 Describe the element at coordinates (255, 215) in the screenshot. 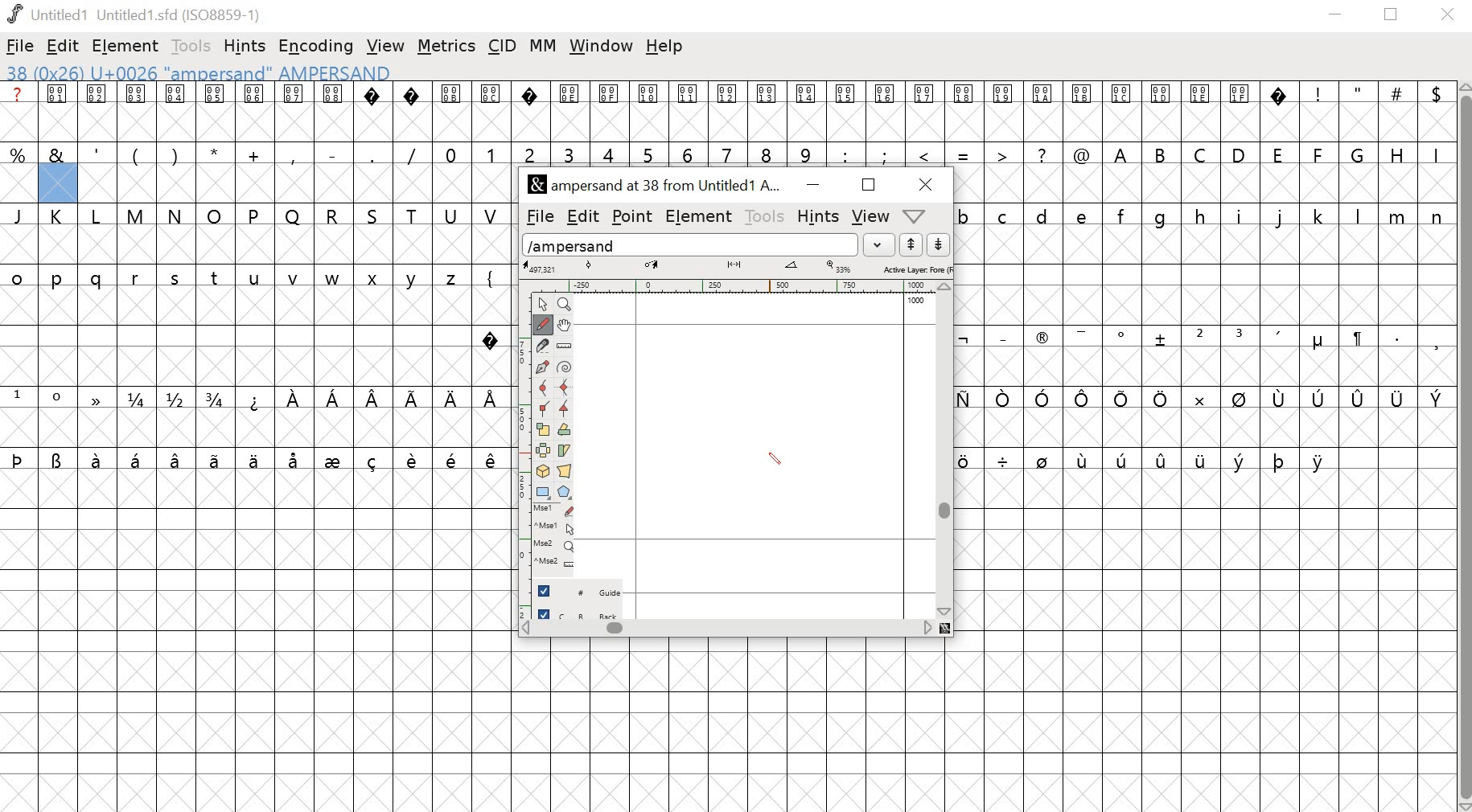

I see `P` at that location.